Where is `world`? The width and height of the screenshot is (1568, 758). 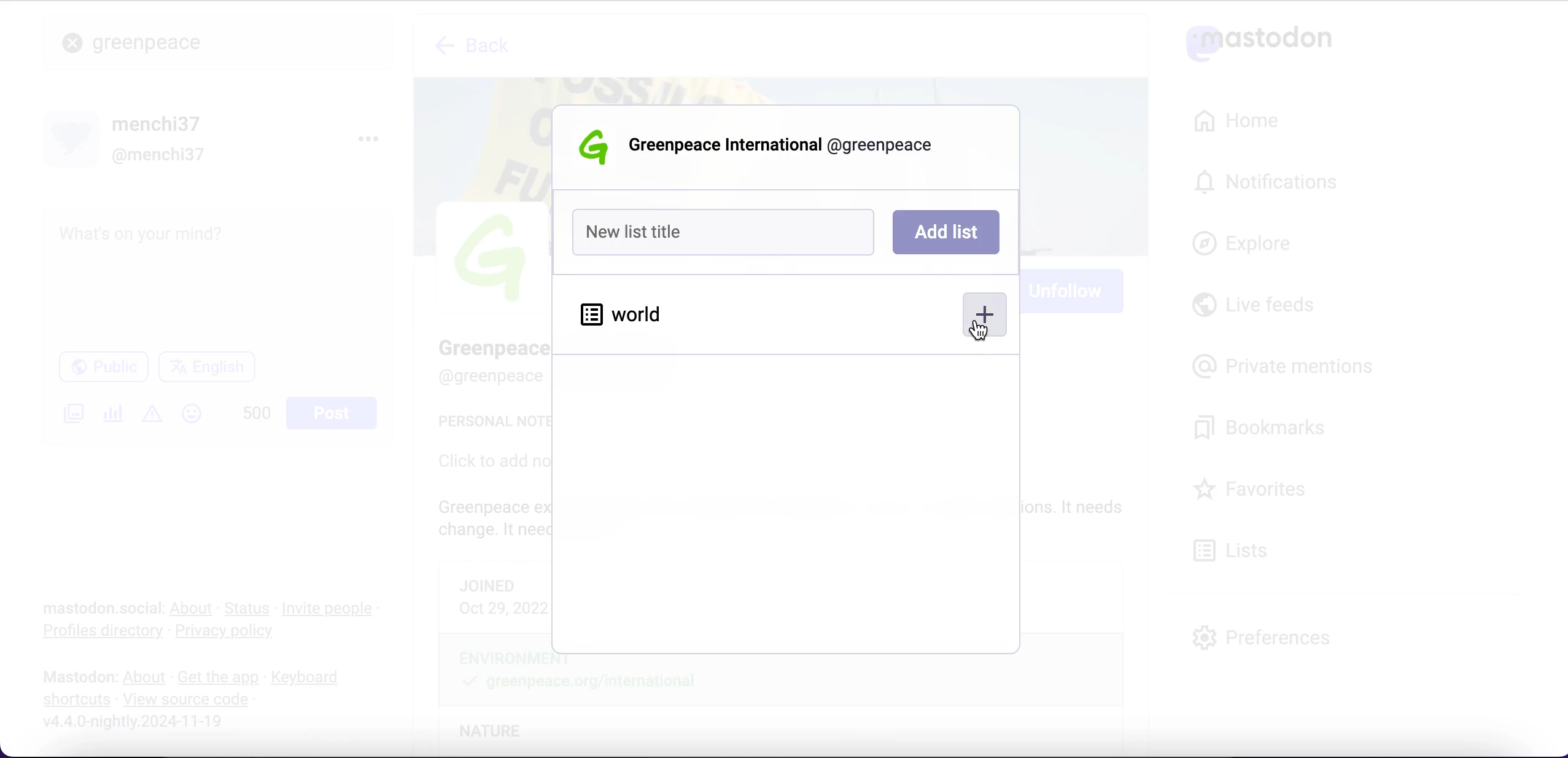 world is located at coordinates (619, 312).